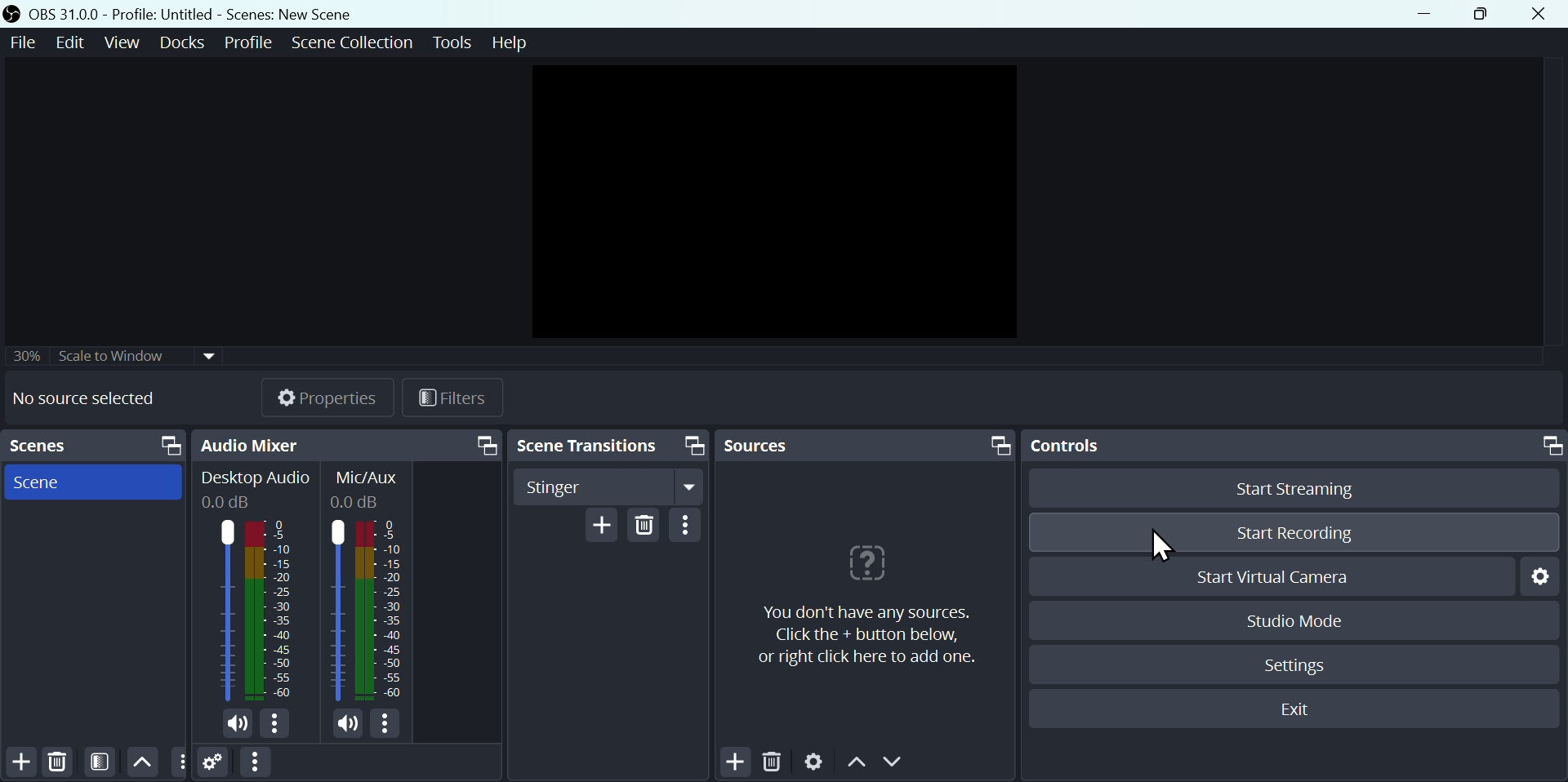 This screenshot has height=782, width=1568. What do you see at coordinates (1424, 15) in the screenshot?
I see `minimize` at bounding box center [1424, 15].